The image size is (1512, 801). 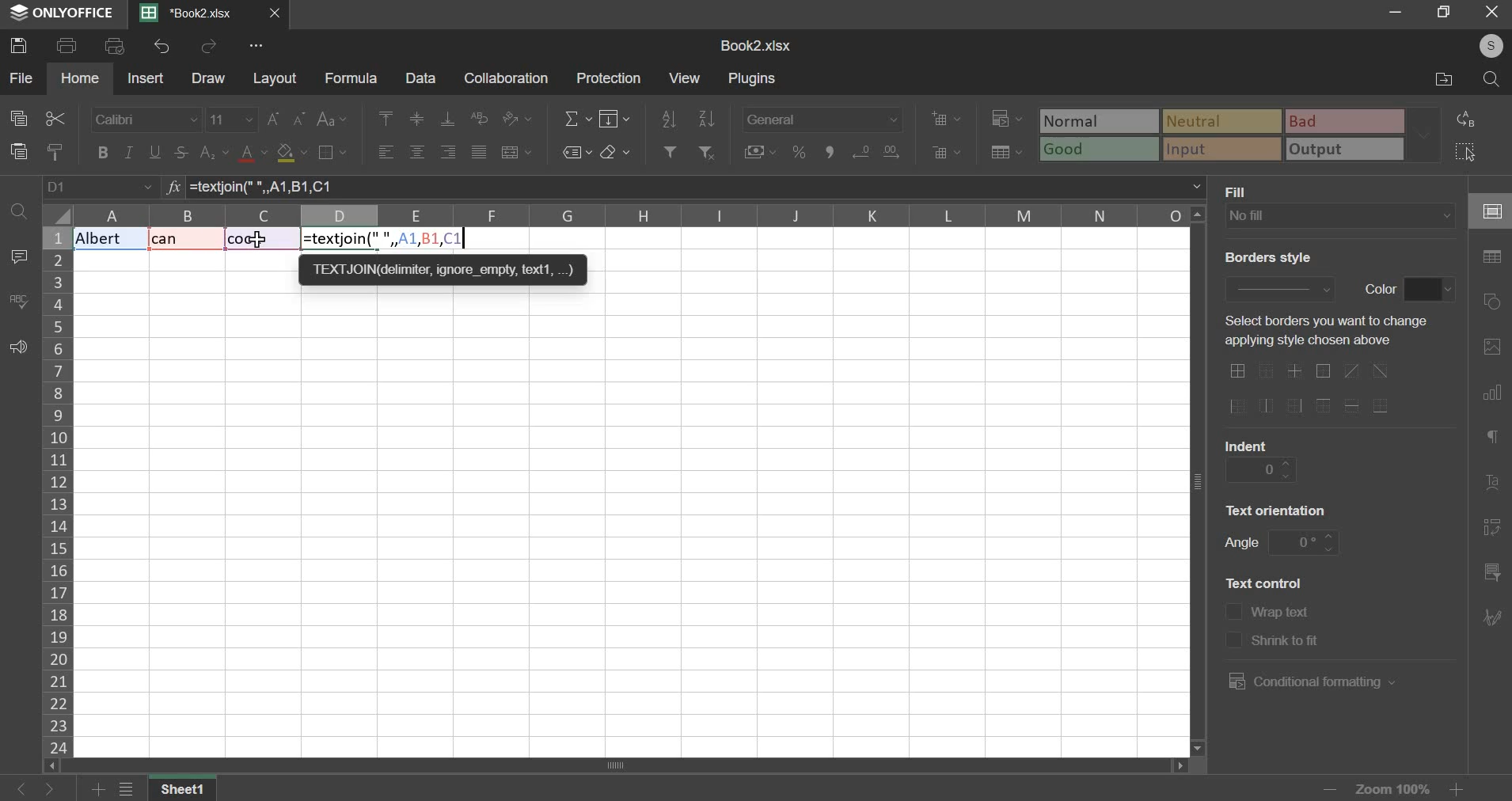 What do you see at coordinates (145, 120) in the screenshot?
I see `font` at bounding box center [145, 120].